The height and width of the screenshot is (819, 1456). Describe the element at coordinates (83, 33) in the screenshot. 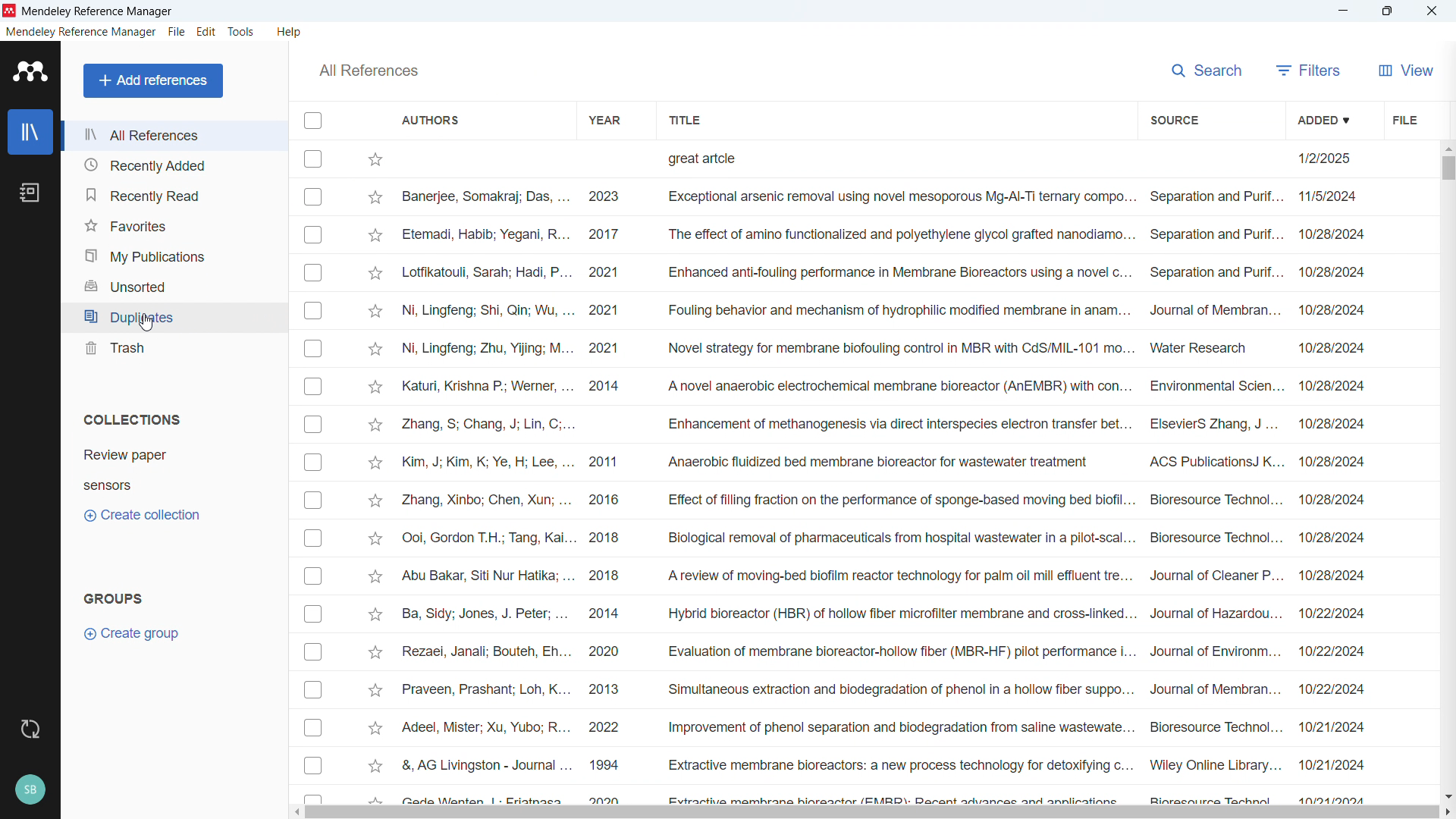

I see `Mendeley reference manager ` at that location.